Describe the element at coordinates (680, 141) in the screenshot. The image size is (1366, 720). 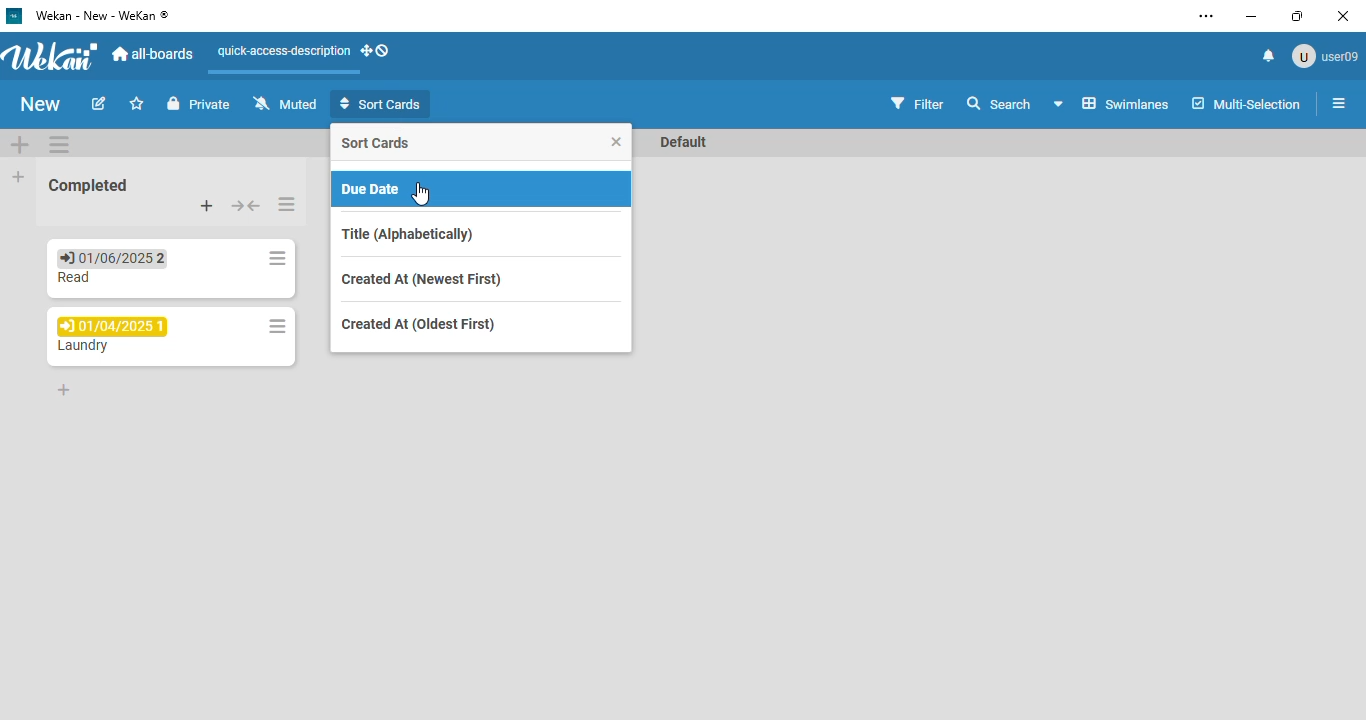
I see `Default` at that location.